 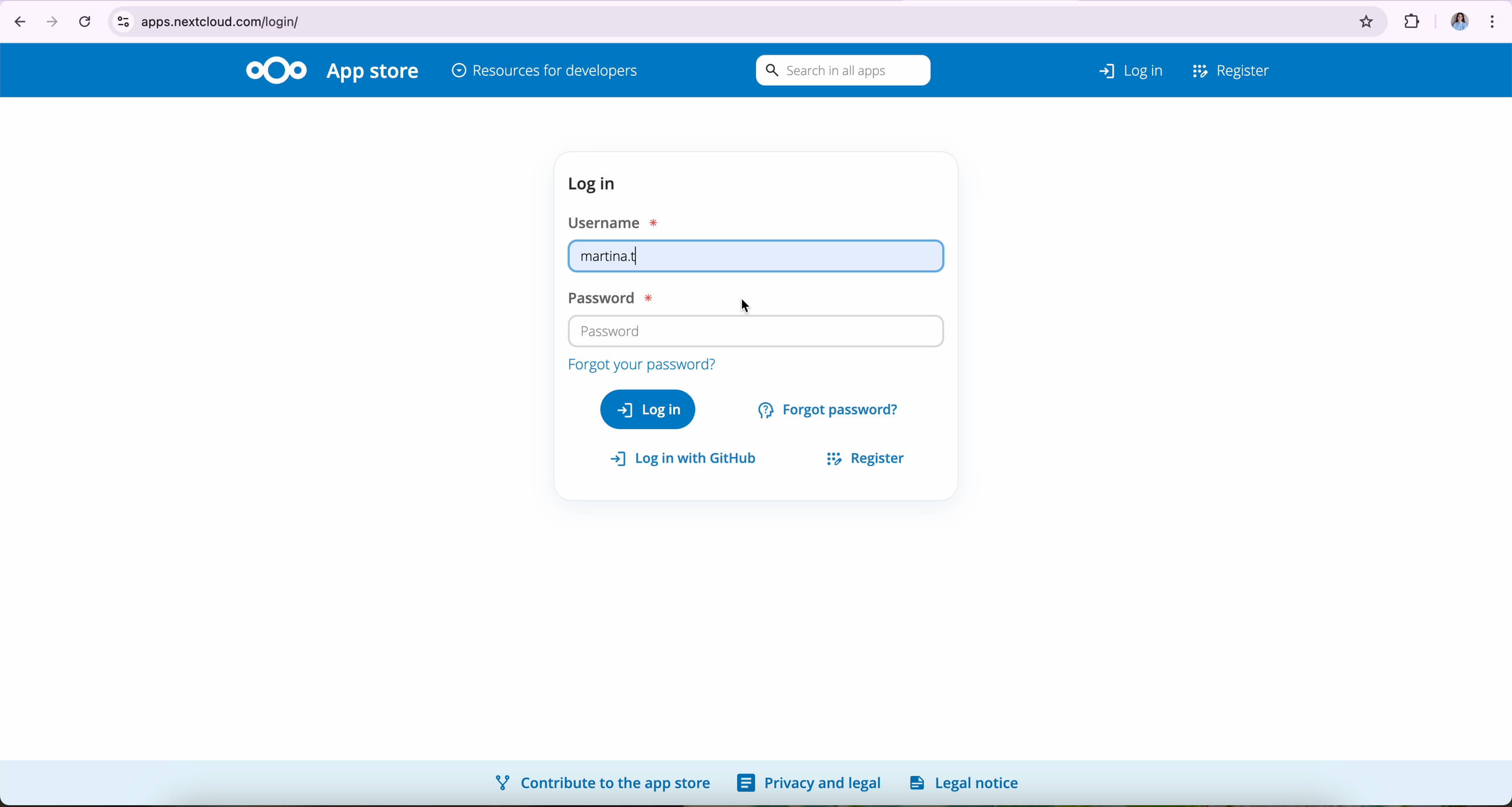 I want to click on cursor, so click(x=748, y=306).